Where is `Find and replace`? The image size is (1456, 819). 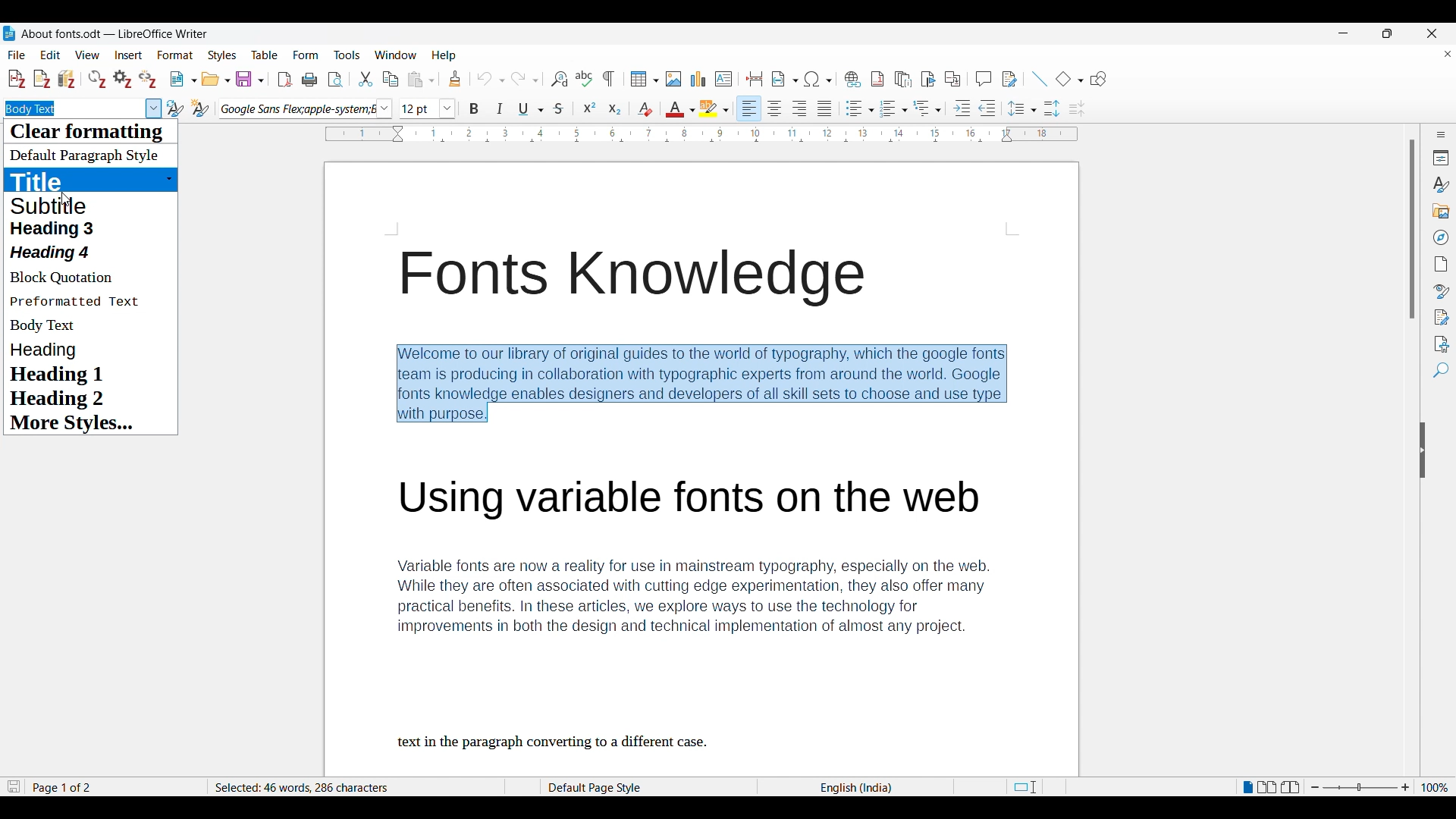
Find and replace is located at coordinates (560, 80).